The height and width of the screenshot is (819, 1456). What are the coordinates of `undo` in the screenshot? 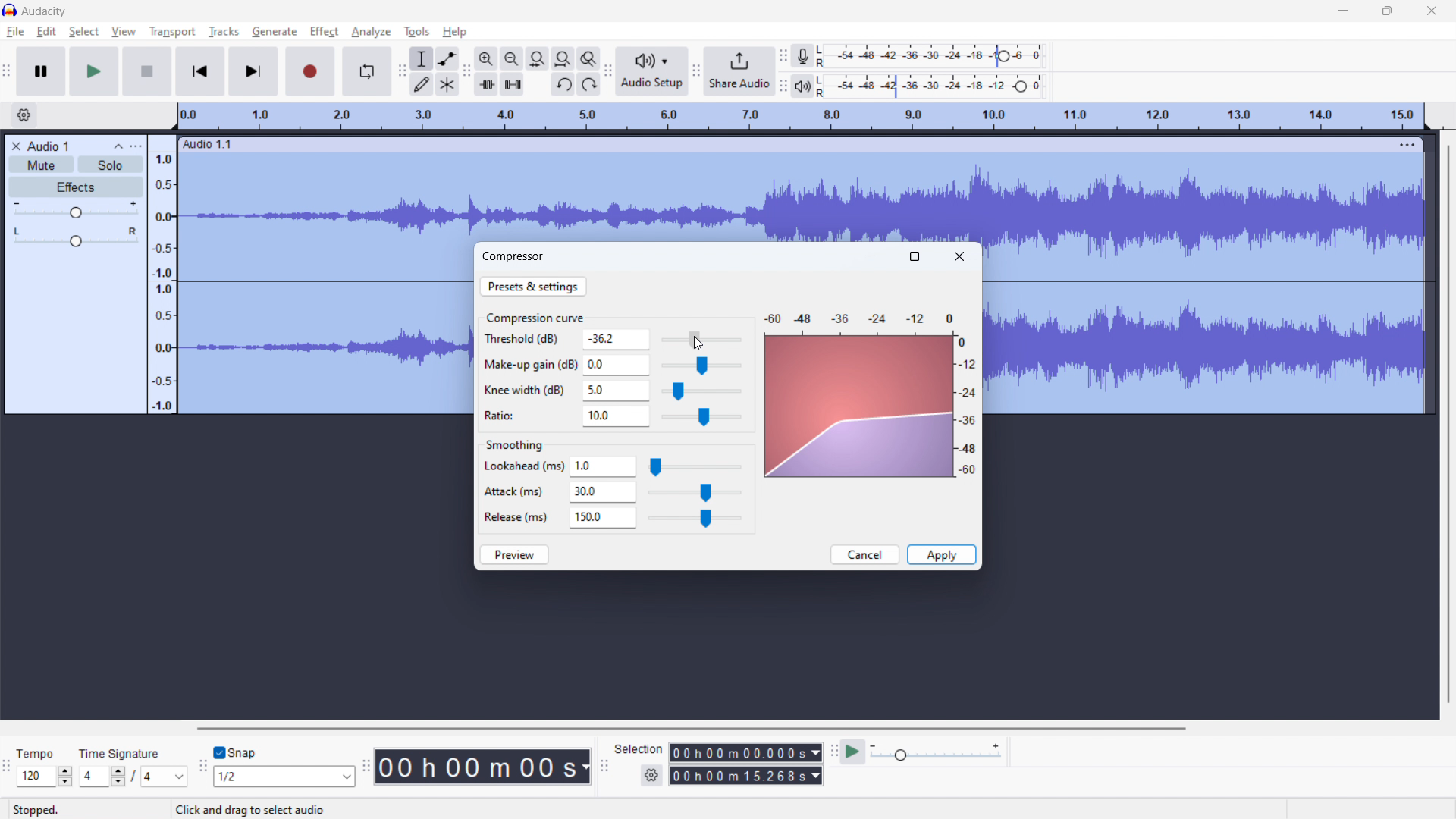 It's located at (563, 84).